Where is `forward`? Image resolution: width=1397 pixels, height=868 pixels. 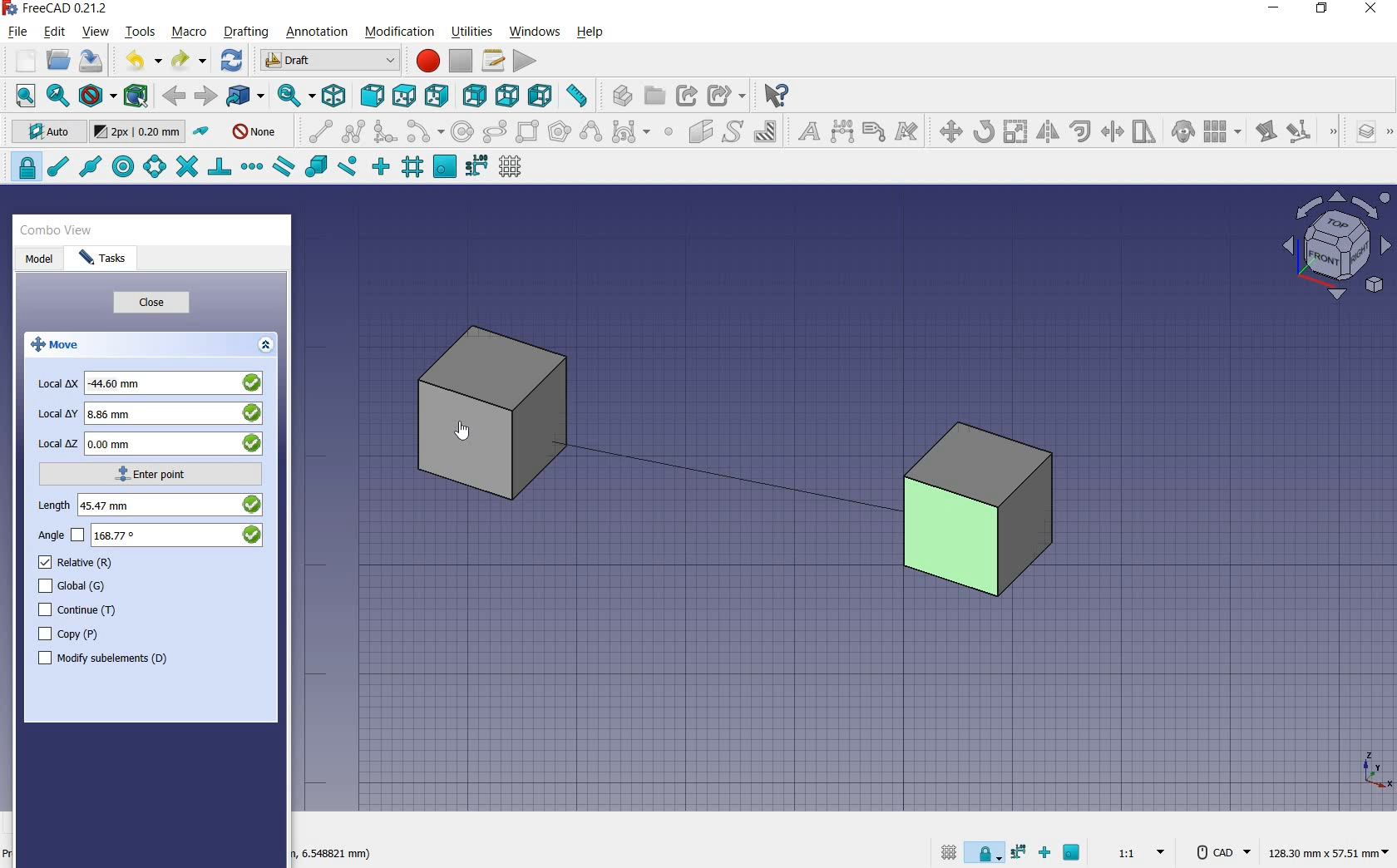 forward is located at coordinates (205, 96).